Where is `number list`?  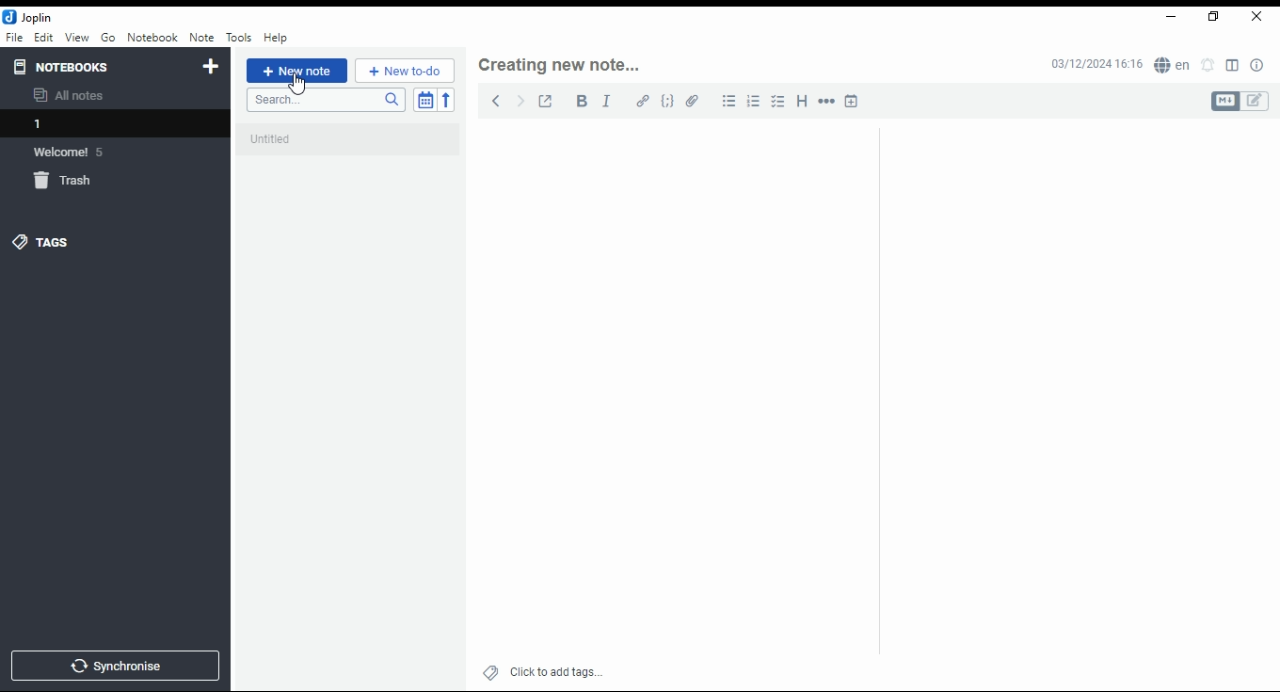 number list is located at coordinates (754, 100).